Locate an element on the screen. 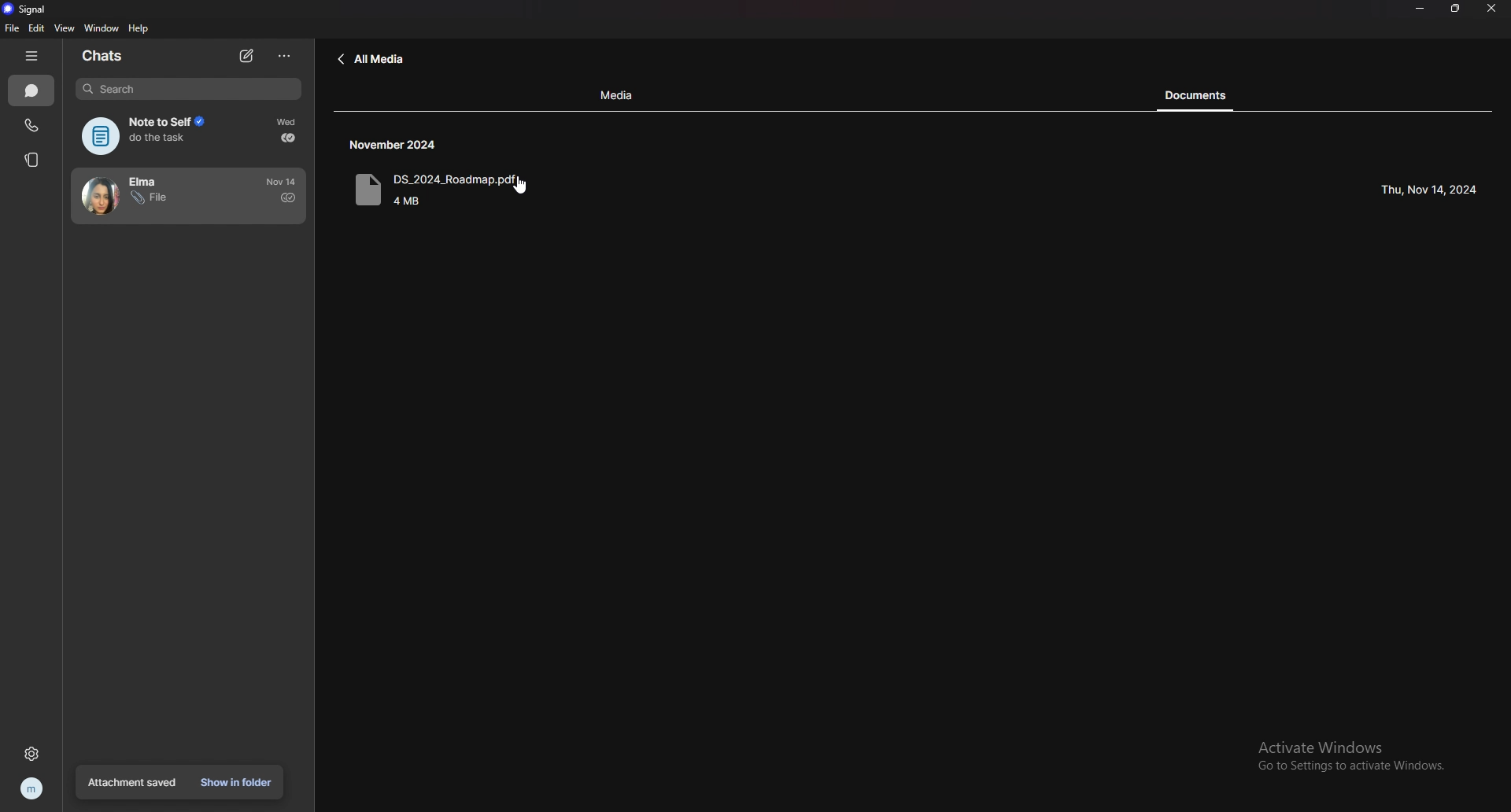 This screenshot has width=1511, height=812. sent is located at coordinates (288, 197).